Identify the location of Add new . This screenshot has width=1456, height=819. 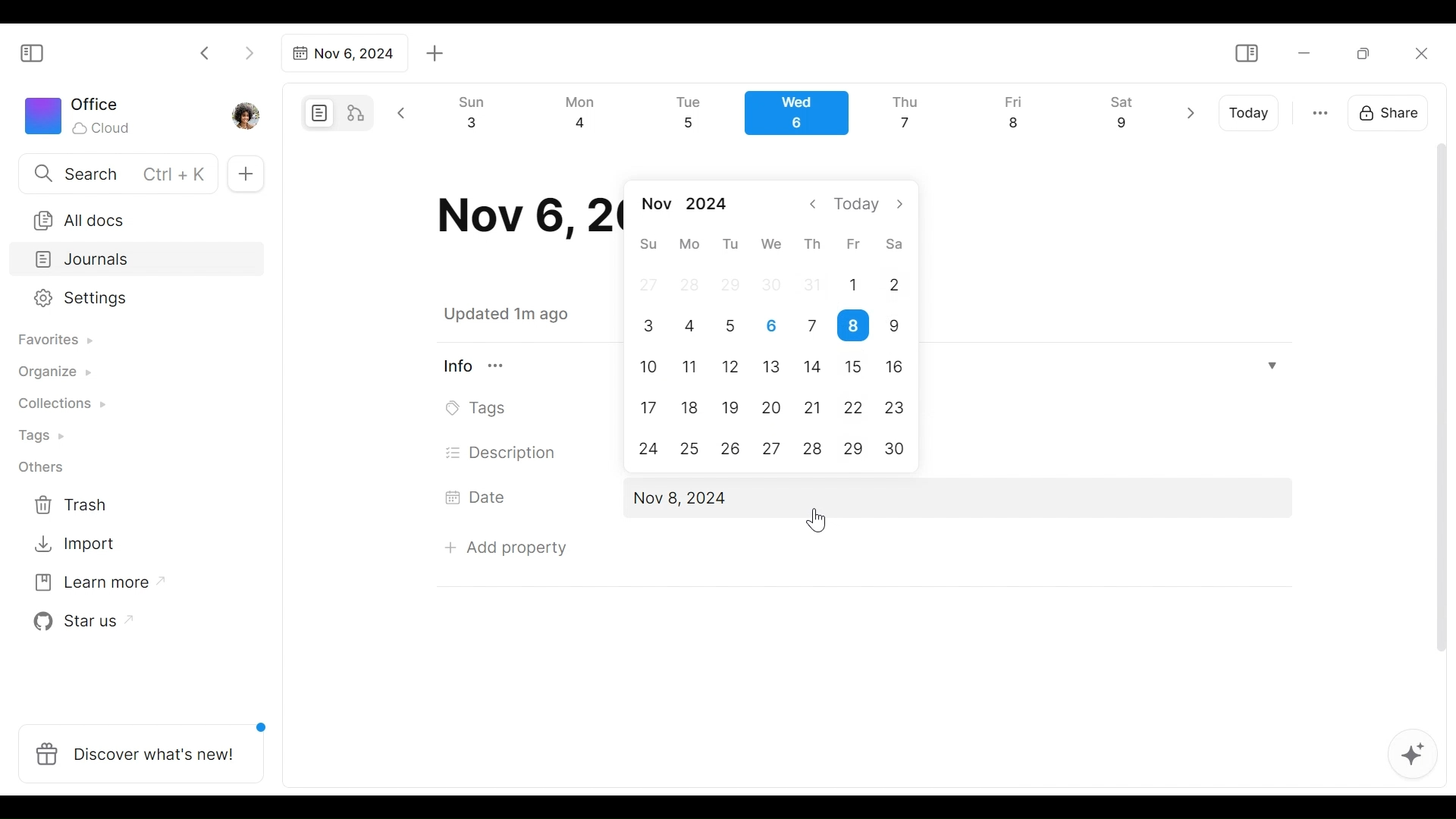
(244, 174).